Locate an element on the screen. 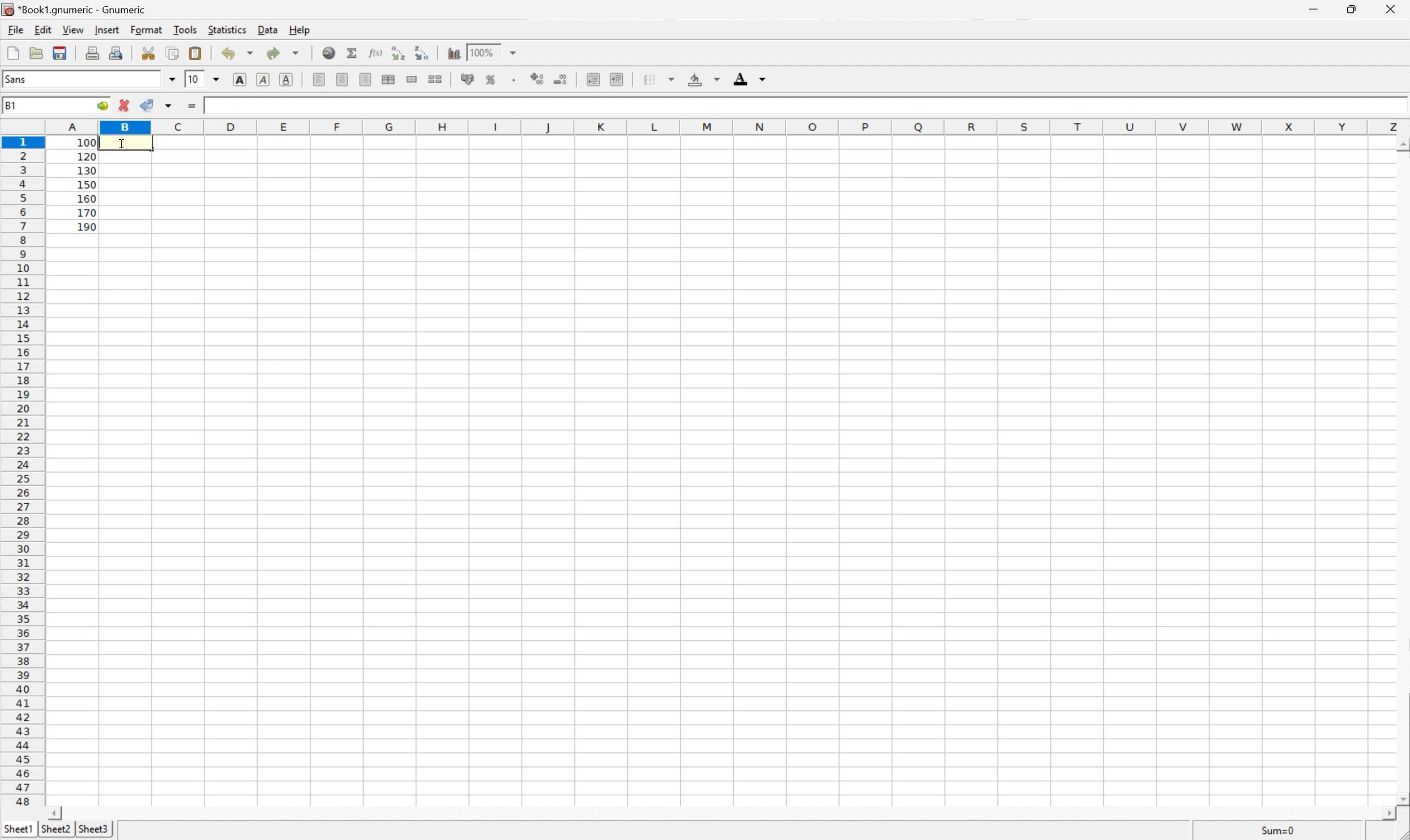 Image resolution: width=1410 pixels, height=840 pixels. Undo is located at coordinates (236, 53).